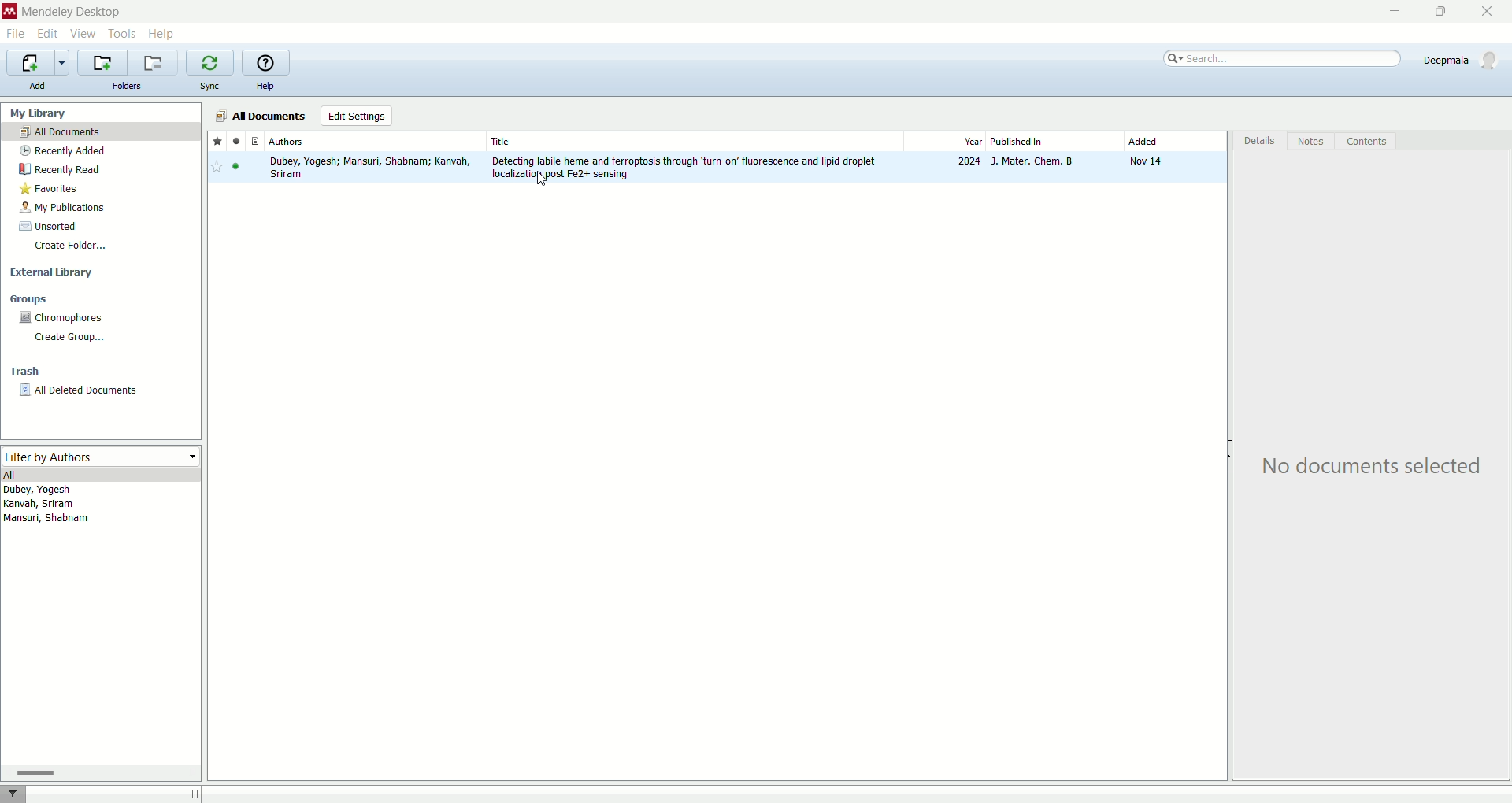  What do you see at coordinates (102, 457) in the screenshot?
I see `filter by authors` at bounding box center [102, 457].